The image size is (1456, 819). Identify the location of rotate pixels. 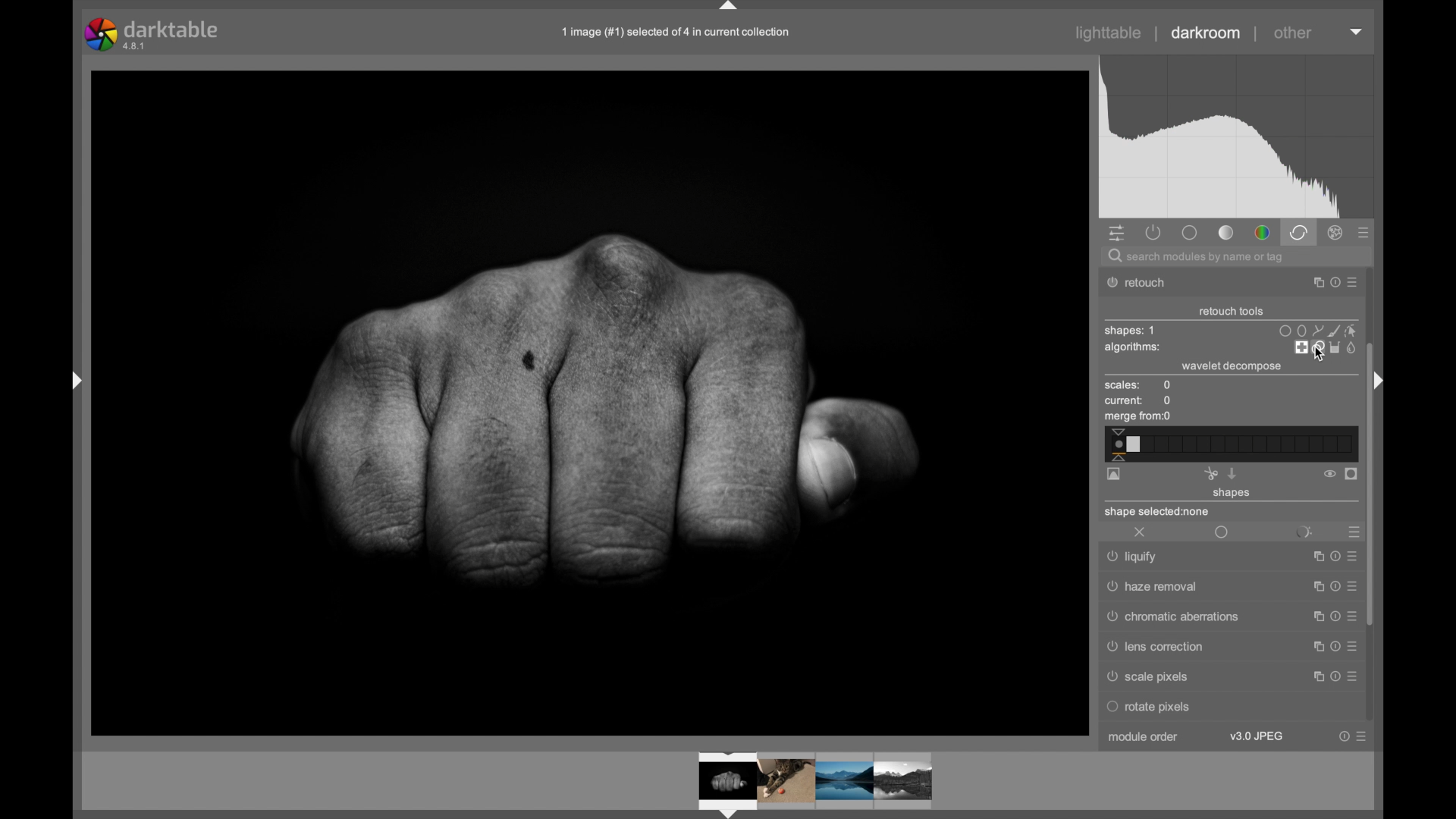
(1188, 707).